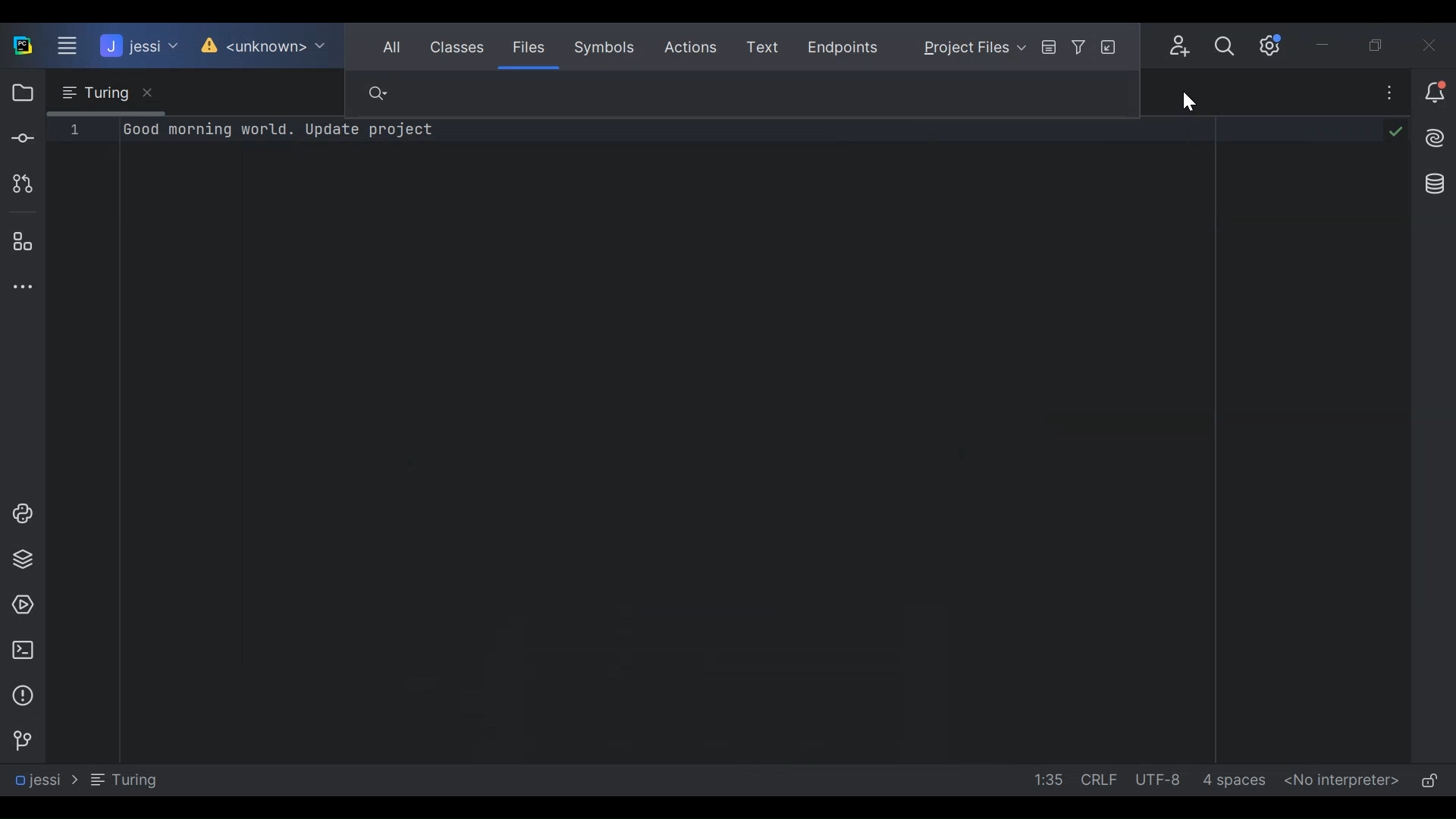 The width and height of the screenshot is (1456, 819). I want to click on Jessi, so click(42, 778).